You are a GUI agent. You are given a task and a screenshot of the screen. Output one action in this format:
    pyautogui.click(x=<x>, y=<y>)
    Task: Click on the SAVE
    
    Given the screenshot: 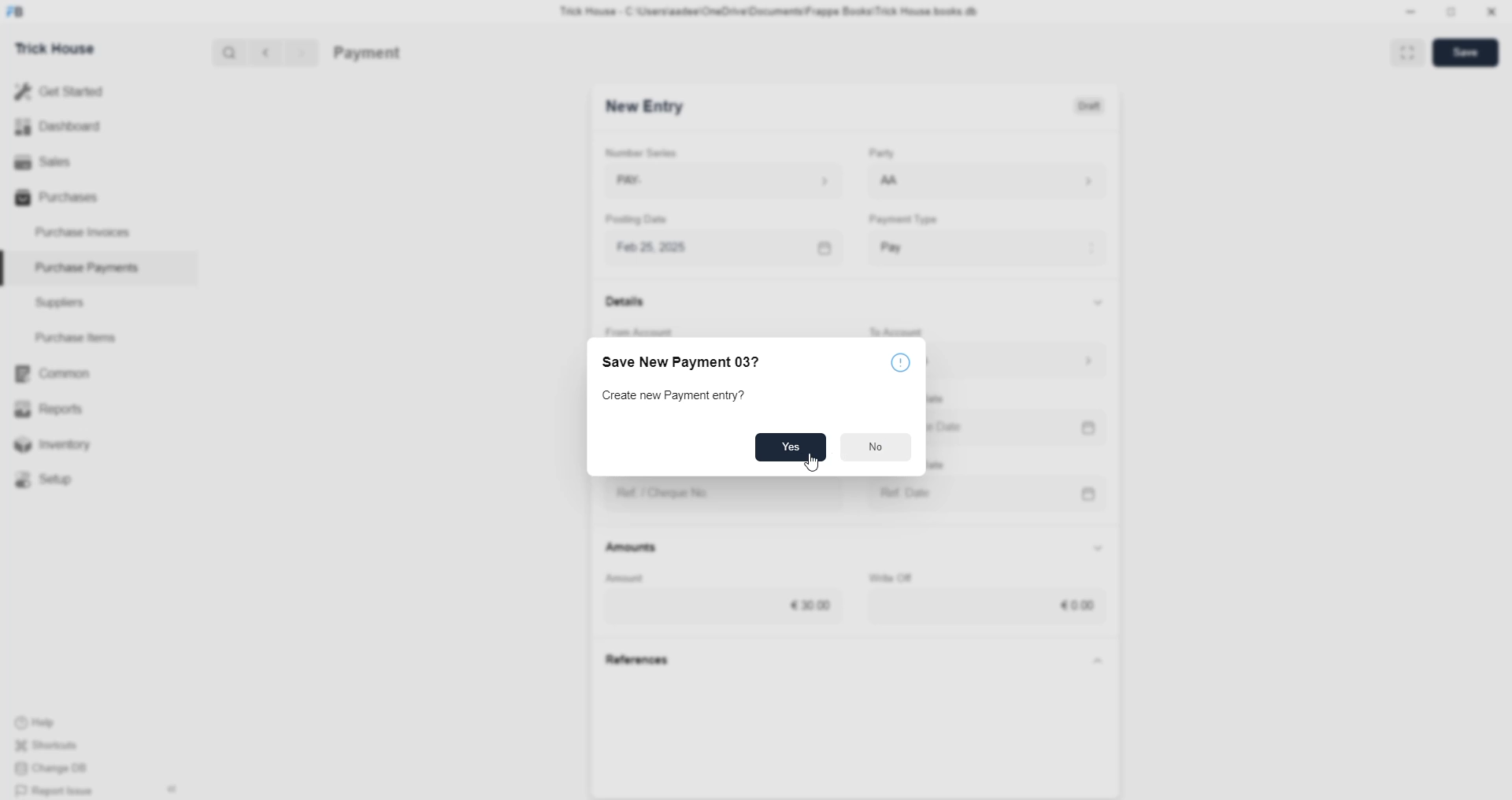 What is the action you would take?
    pyautogui.click(x=1469, y=51)
    